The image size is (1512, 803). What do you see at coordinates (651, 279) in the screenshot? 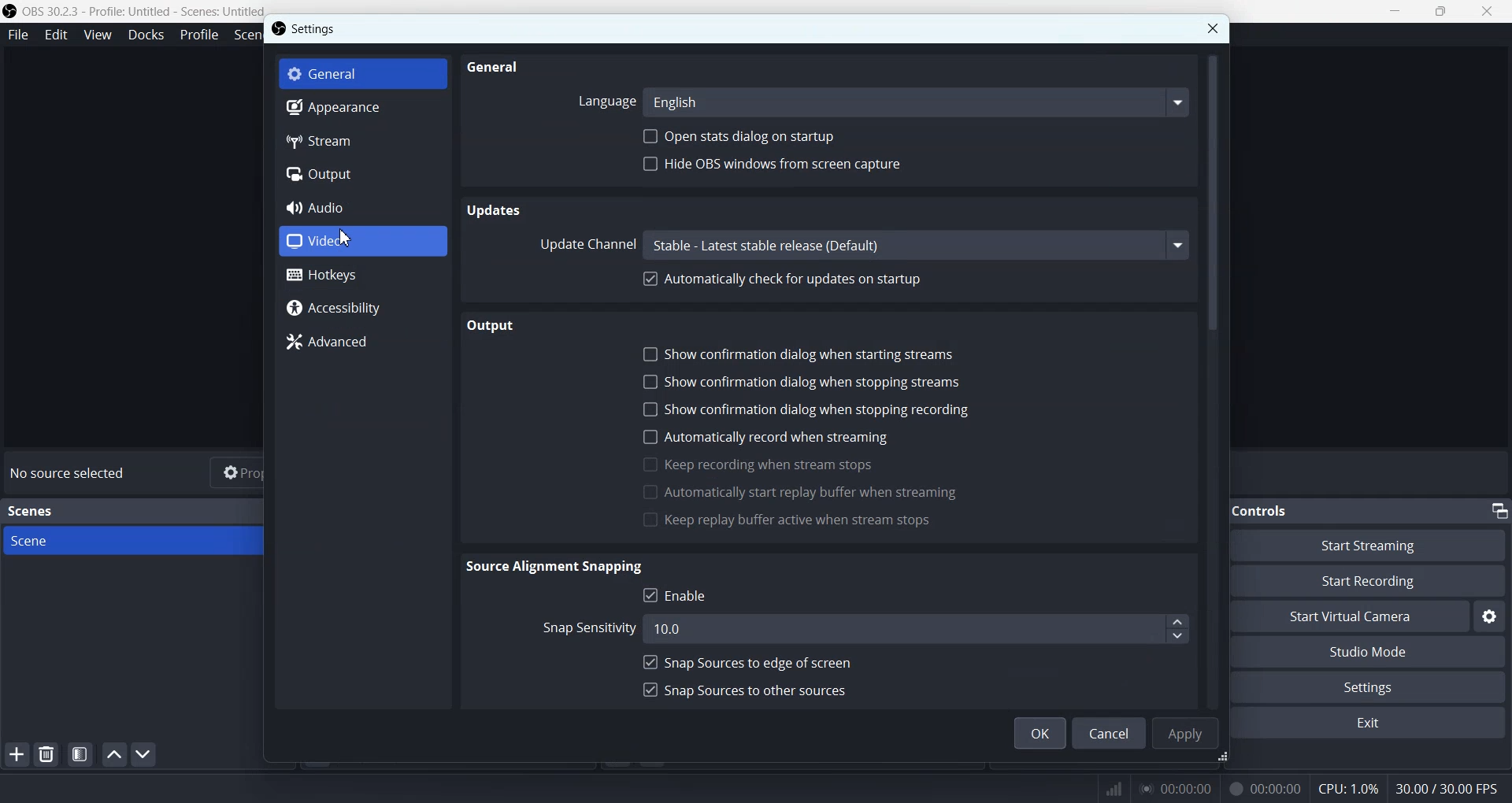
I see `checkbox` at bounding box center [651, 279].